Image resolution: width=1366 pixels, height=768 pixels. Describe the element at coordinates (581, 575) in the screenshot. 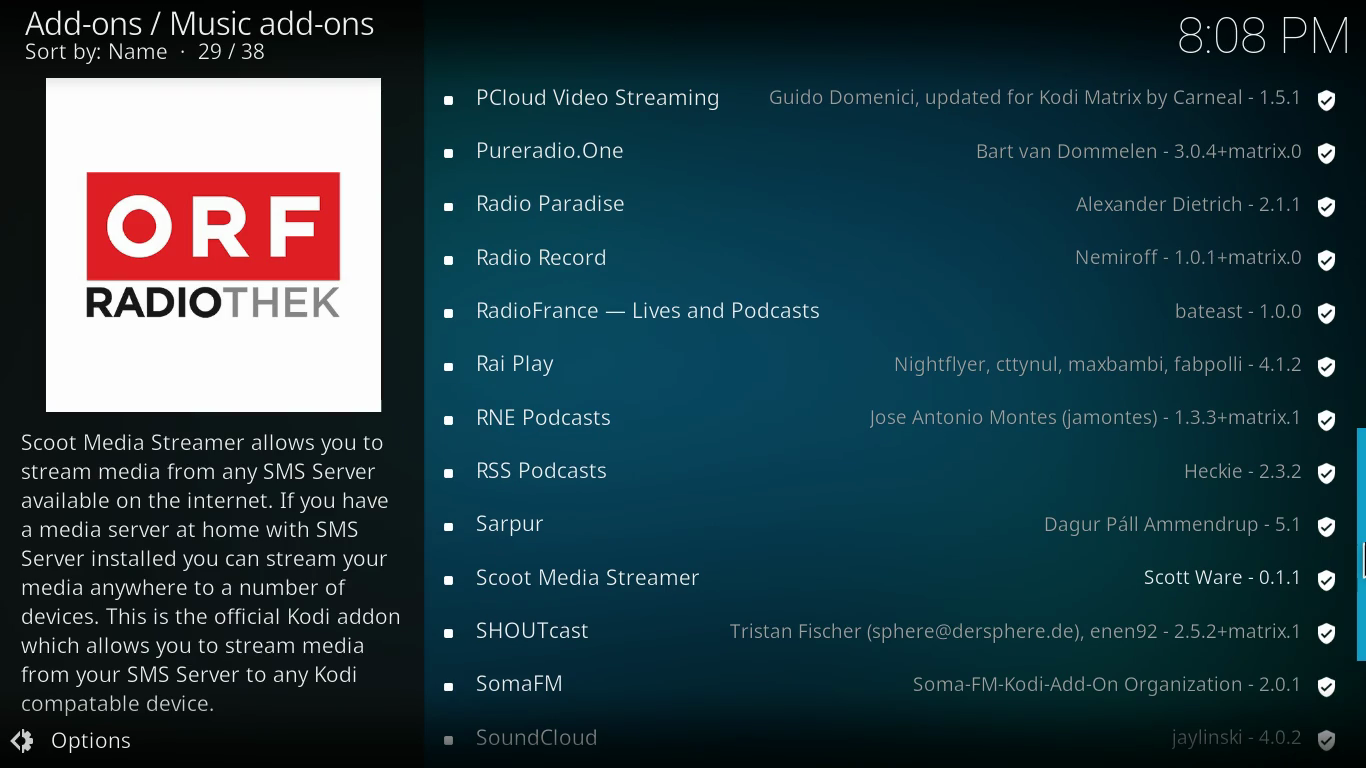

I see `add-on` at that location.